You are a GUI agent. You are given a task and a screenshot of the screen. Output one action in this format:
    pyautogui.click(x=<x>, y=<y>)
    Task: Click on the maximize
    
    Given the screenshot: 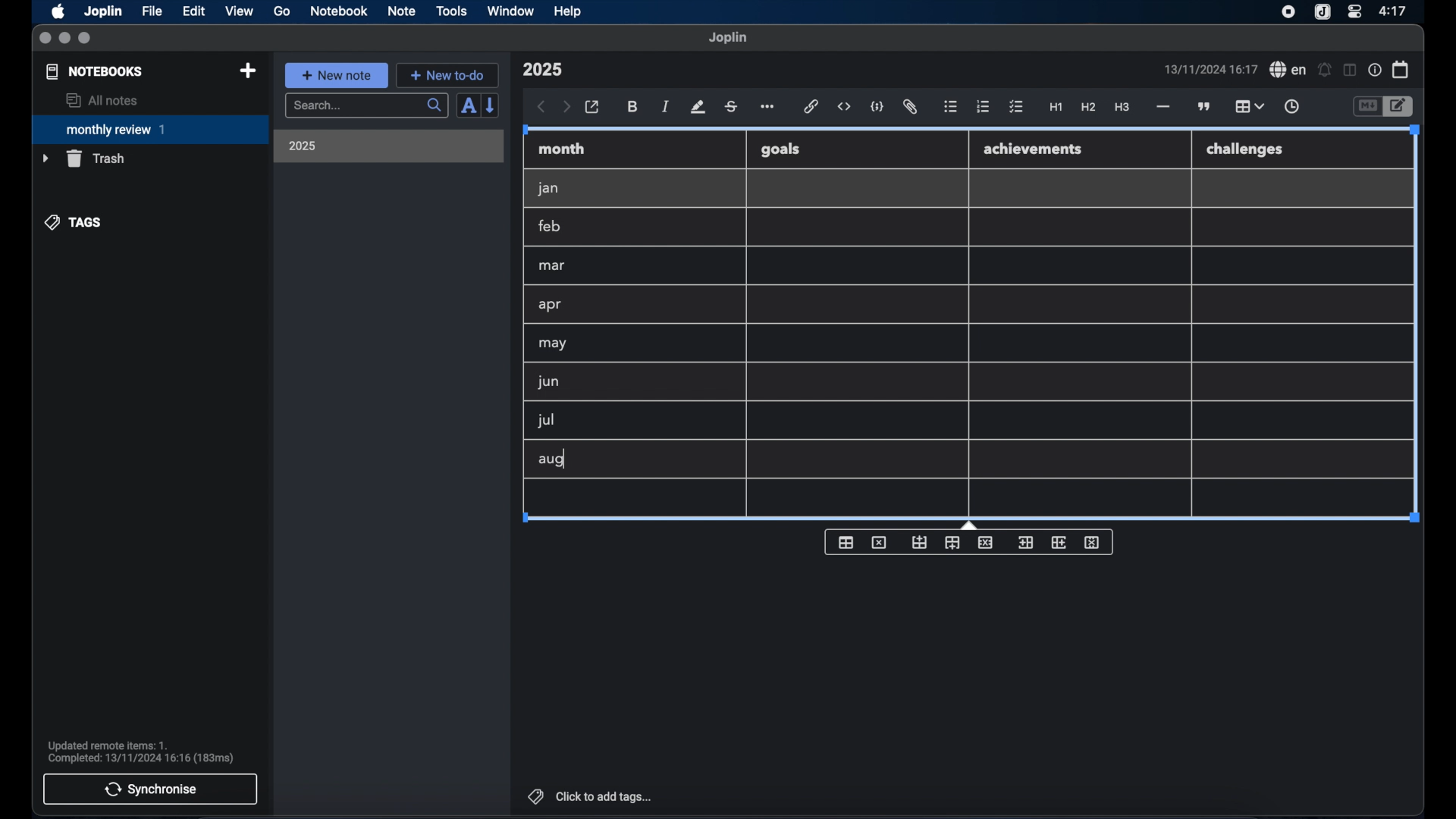 What is the action you would take?
    pyautogui.click(x=86, y=39)
    